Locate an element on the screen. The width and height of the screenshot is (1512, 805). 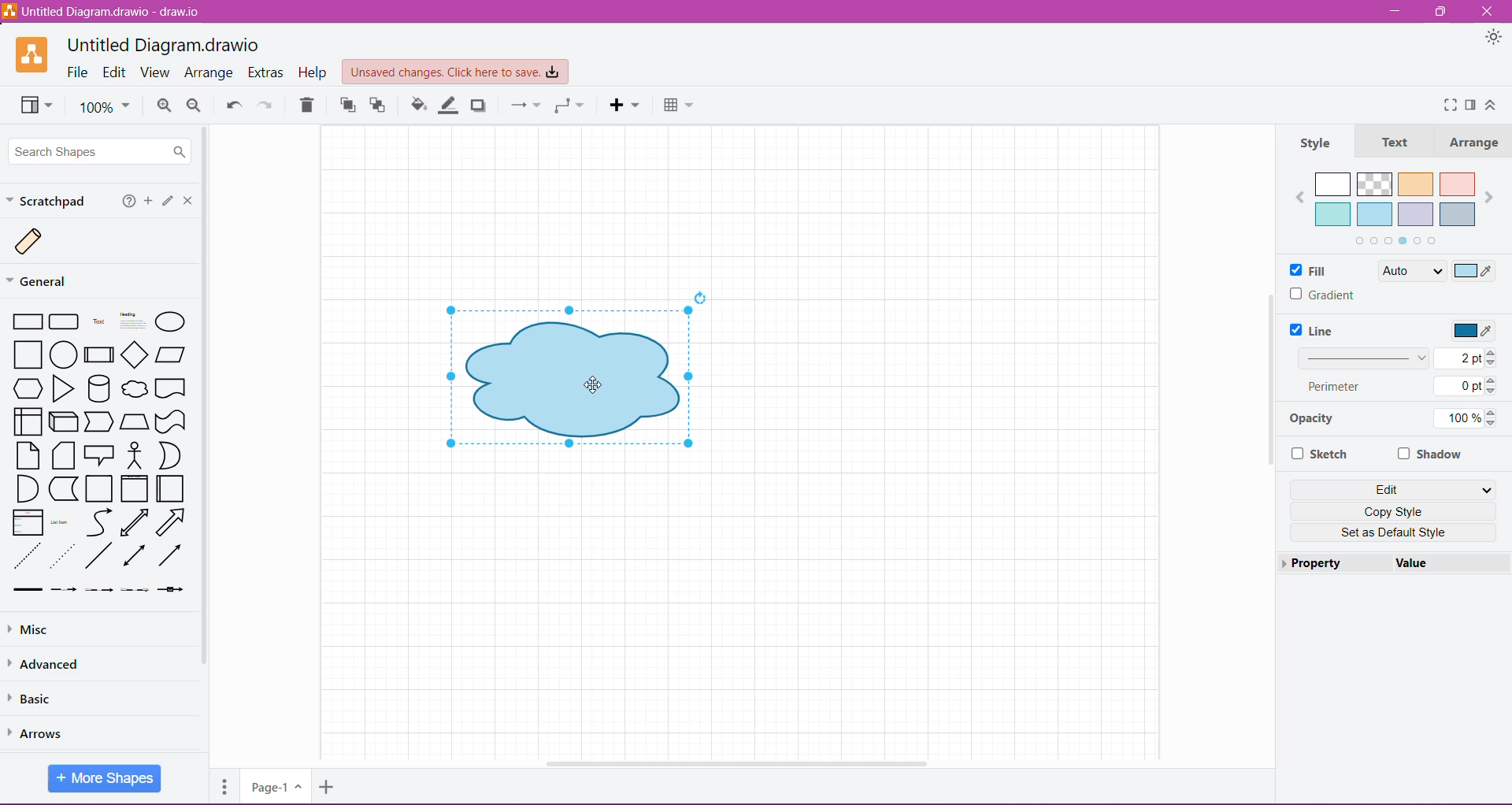
Selected Shape to duplicate is located at coordinates (575, 378).